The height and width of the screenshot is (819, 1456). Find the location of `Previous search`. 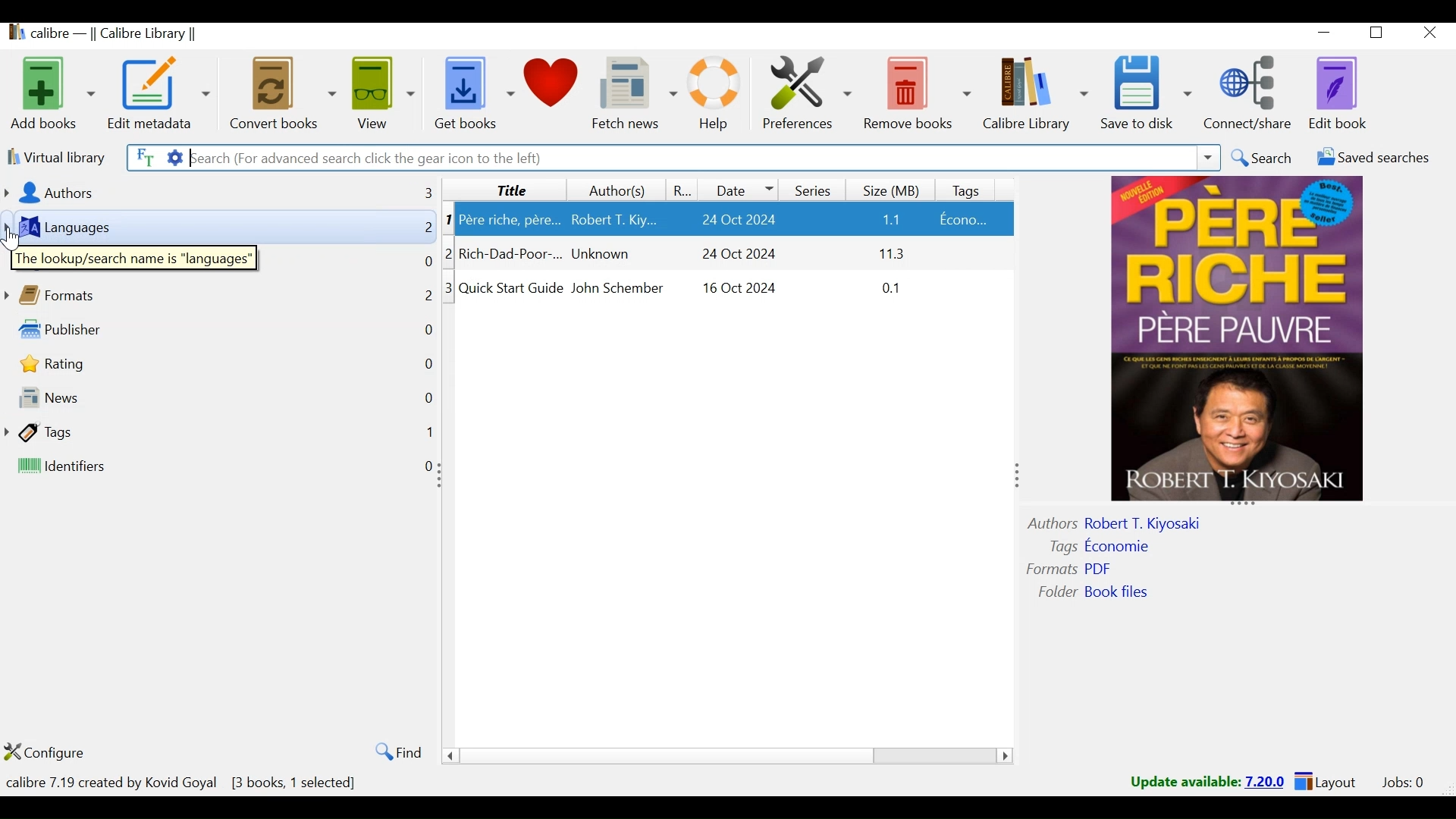

Previous search is located at coordinates (1209, 159).